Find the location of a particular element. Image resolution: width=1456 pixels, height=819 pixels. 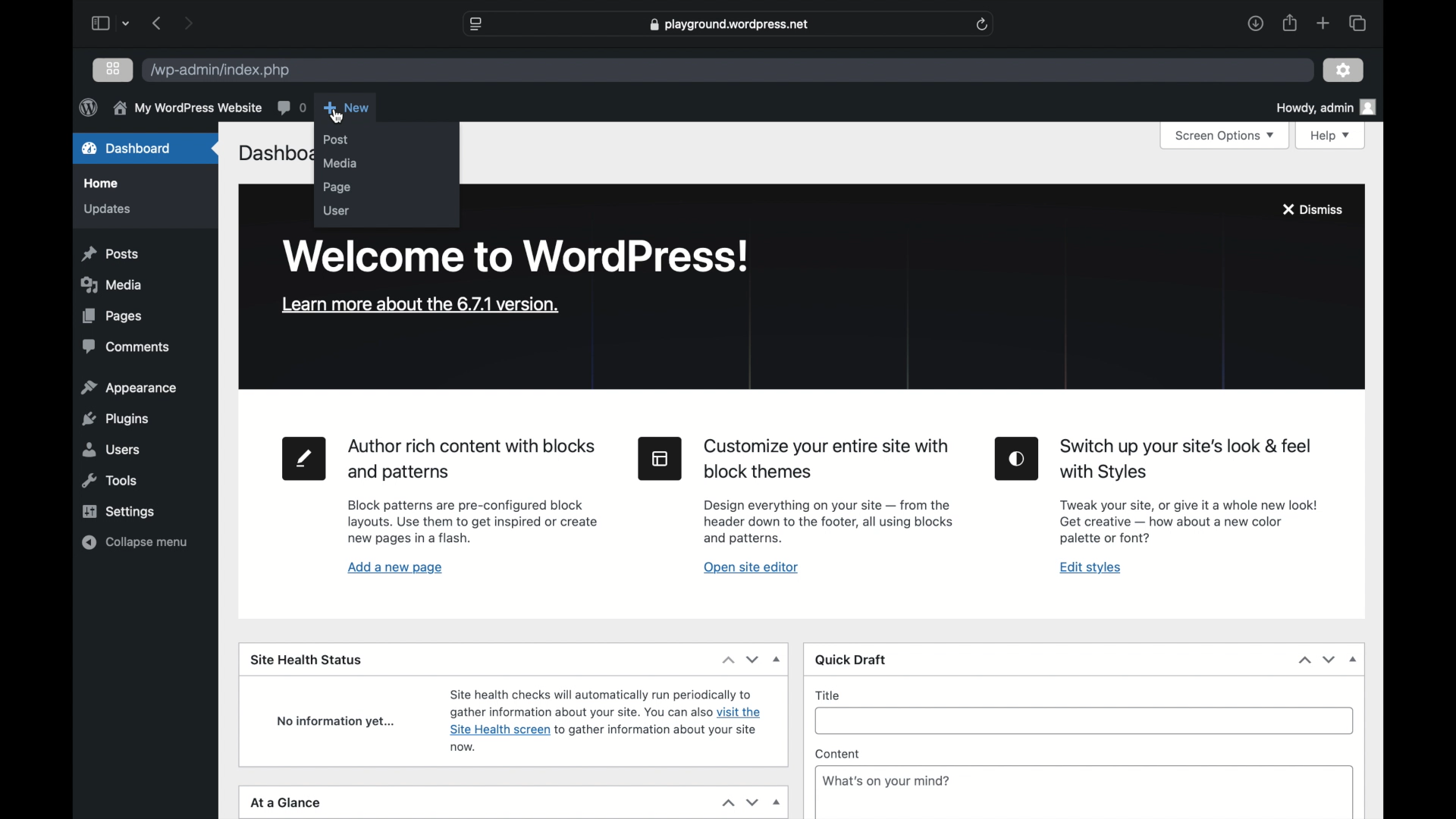

howdy admin is located at coordinates (1327, 108).